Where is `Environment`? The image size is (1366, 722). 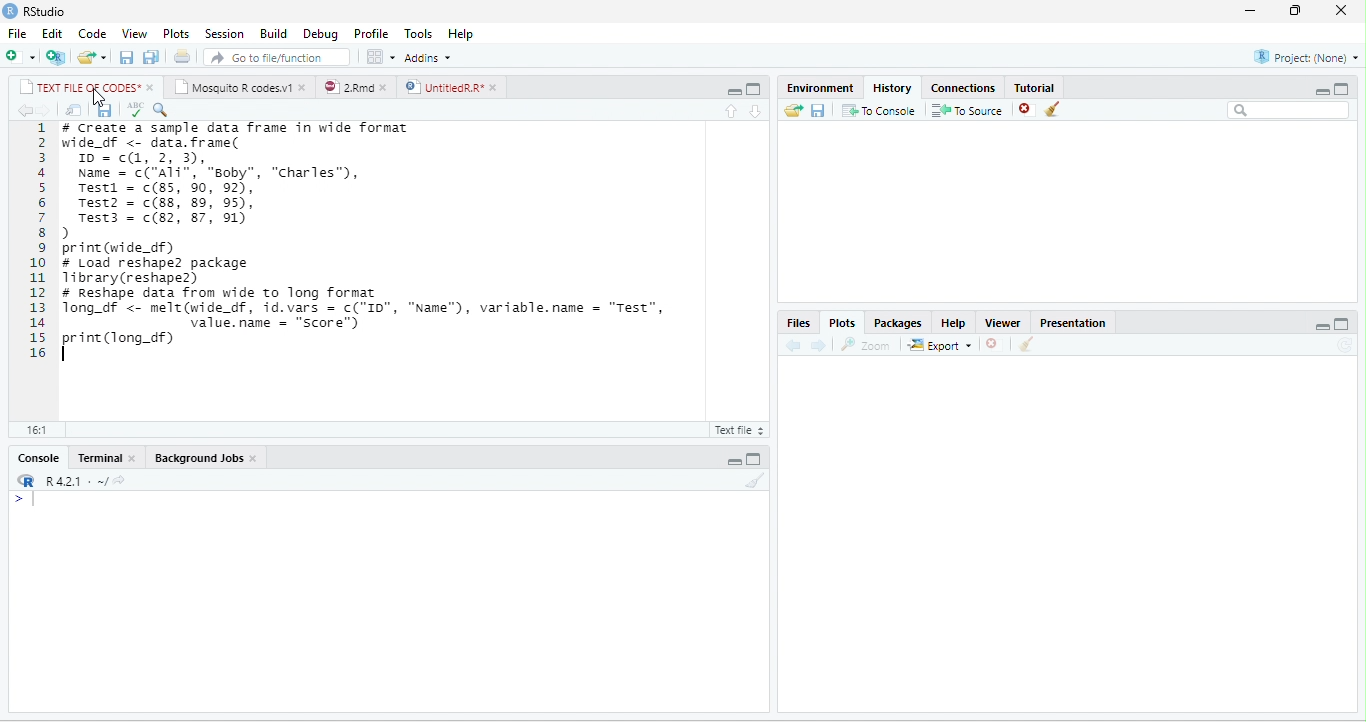
Environment is located at coordinates (819, 88).